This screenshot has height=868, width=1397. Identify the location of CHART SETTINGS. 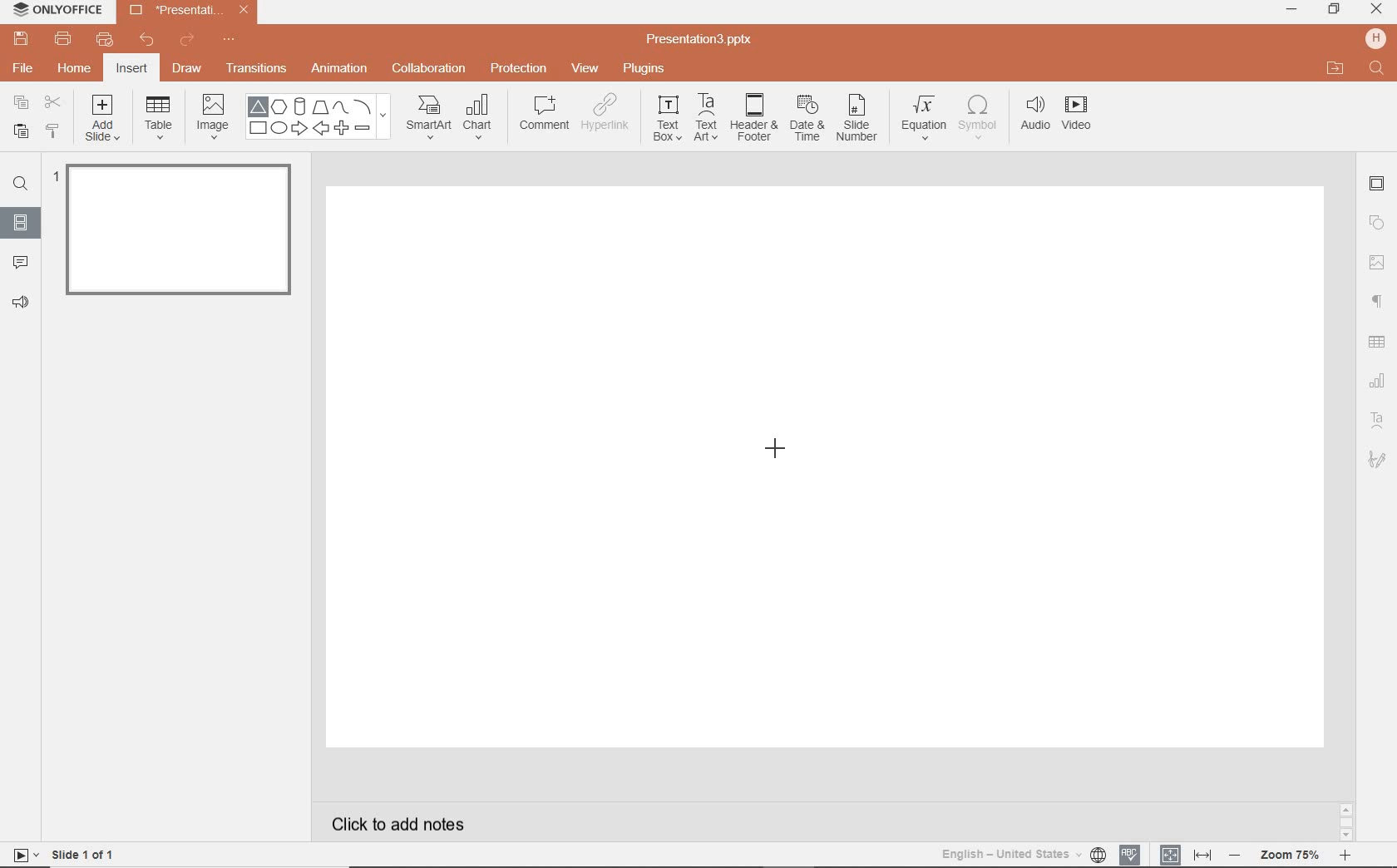
(1378, 379).